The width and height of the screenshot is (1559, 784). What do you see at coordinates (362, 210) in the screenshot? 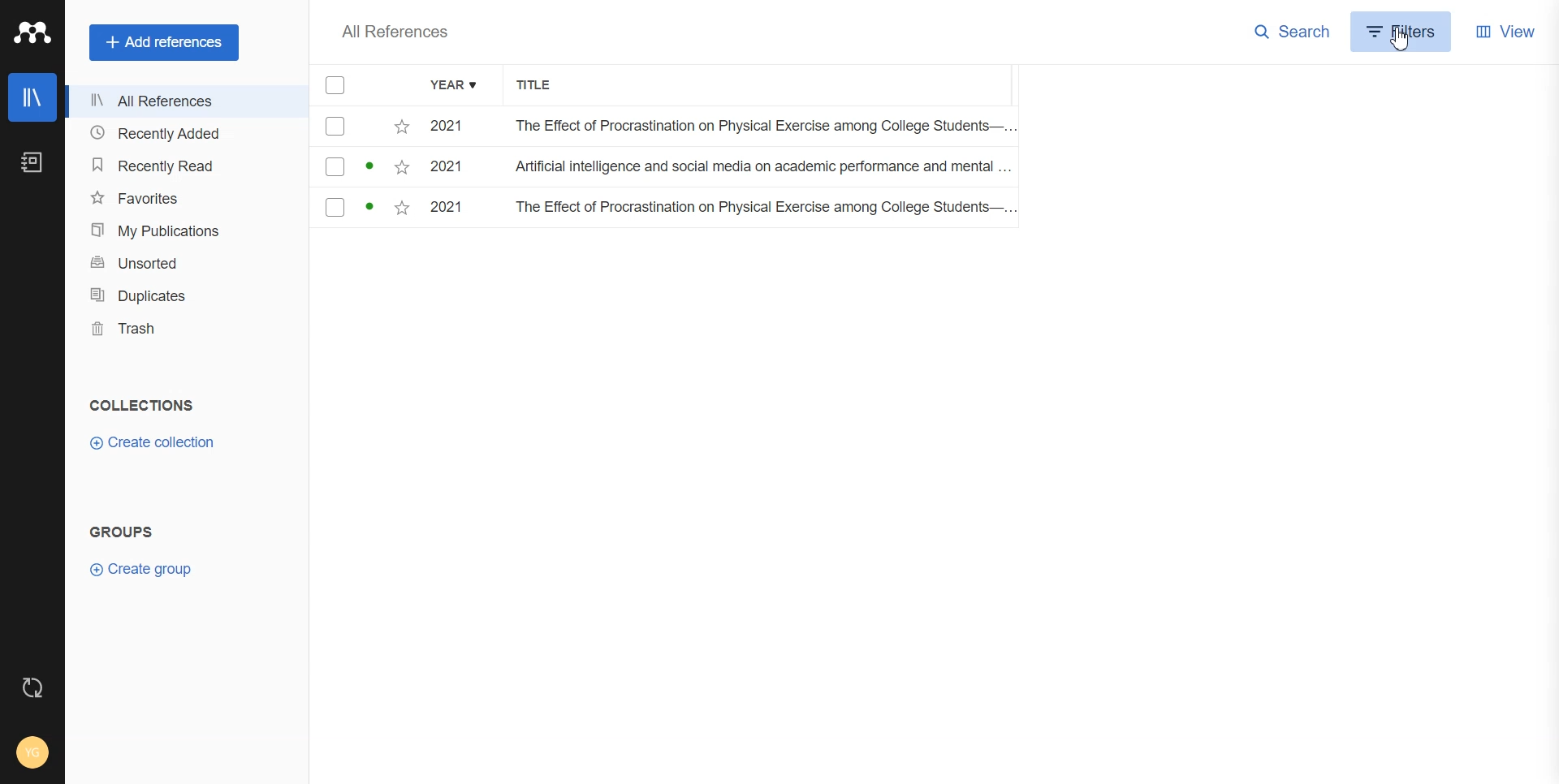
I see `checkbox` at bounding box center [362, 210].